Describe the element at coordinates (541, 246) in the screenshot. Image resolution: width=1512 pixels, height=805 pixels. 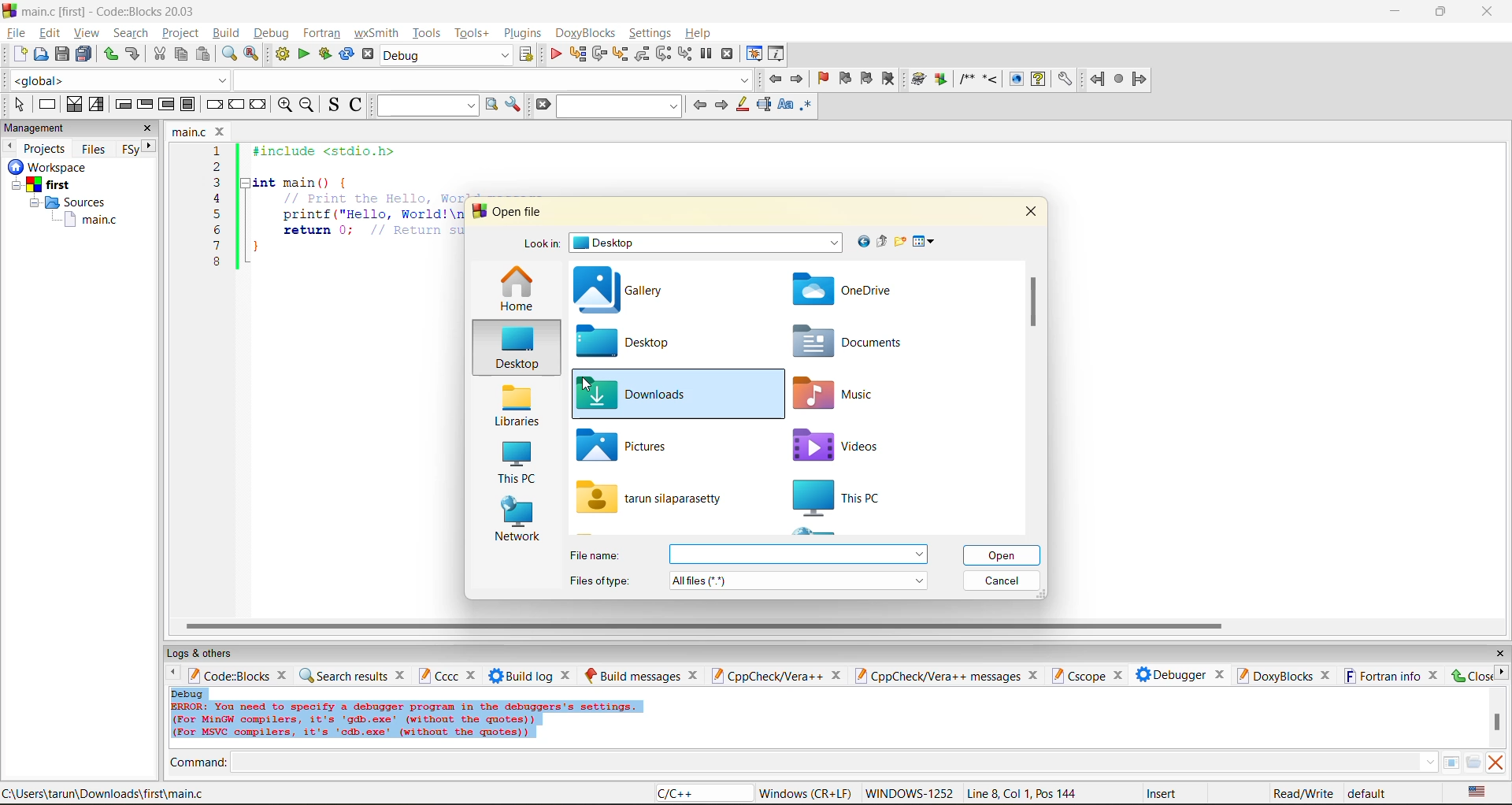
I see `look in` at that location.